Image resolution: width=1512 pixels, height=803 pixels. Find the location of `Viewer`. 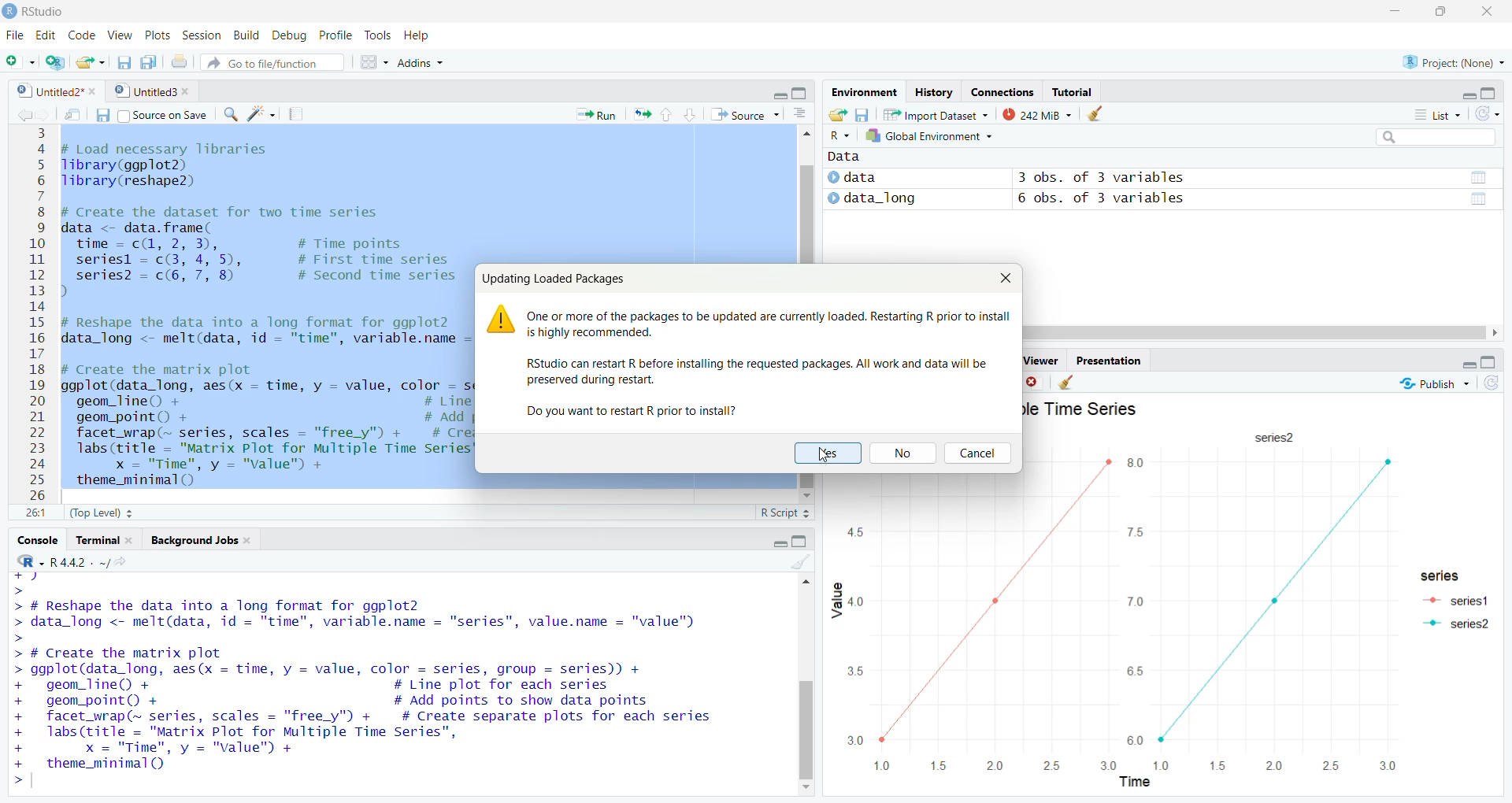

Viewer is located at coordinates (1041, 358).